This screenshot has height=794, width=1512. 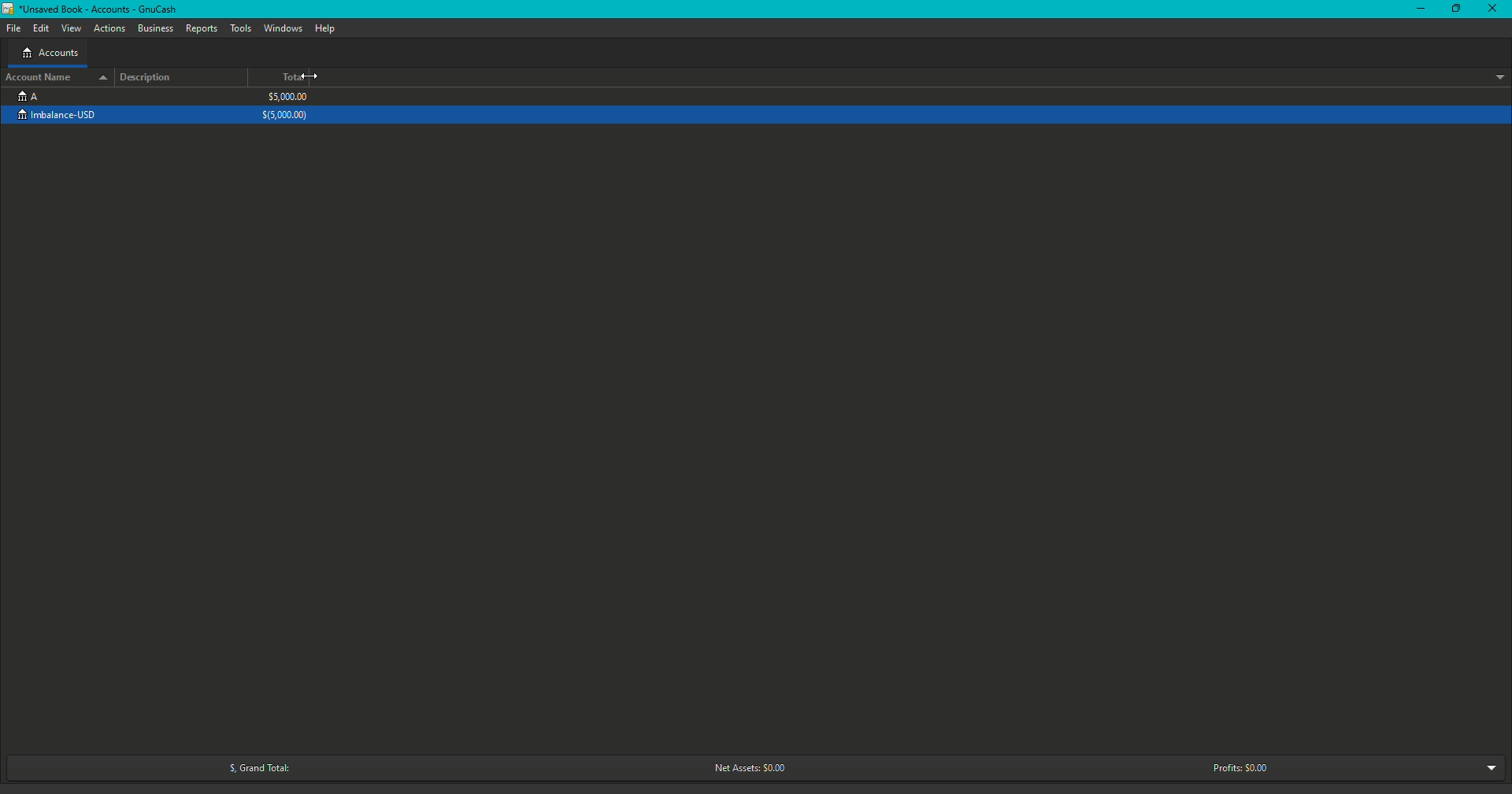 What do you see at coordinates (294, 78) in the screenshot?
I see `Total` at bounding box center [294, 78].